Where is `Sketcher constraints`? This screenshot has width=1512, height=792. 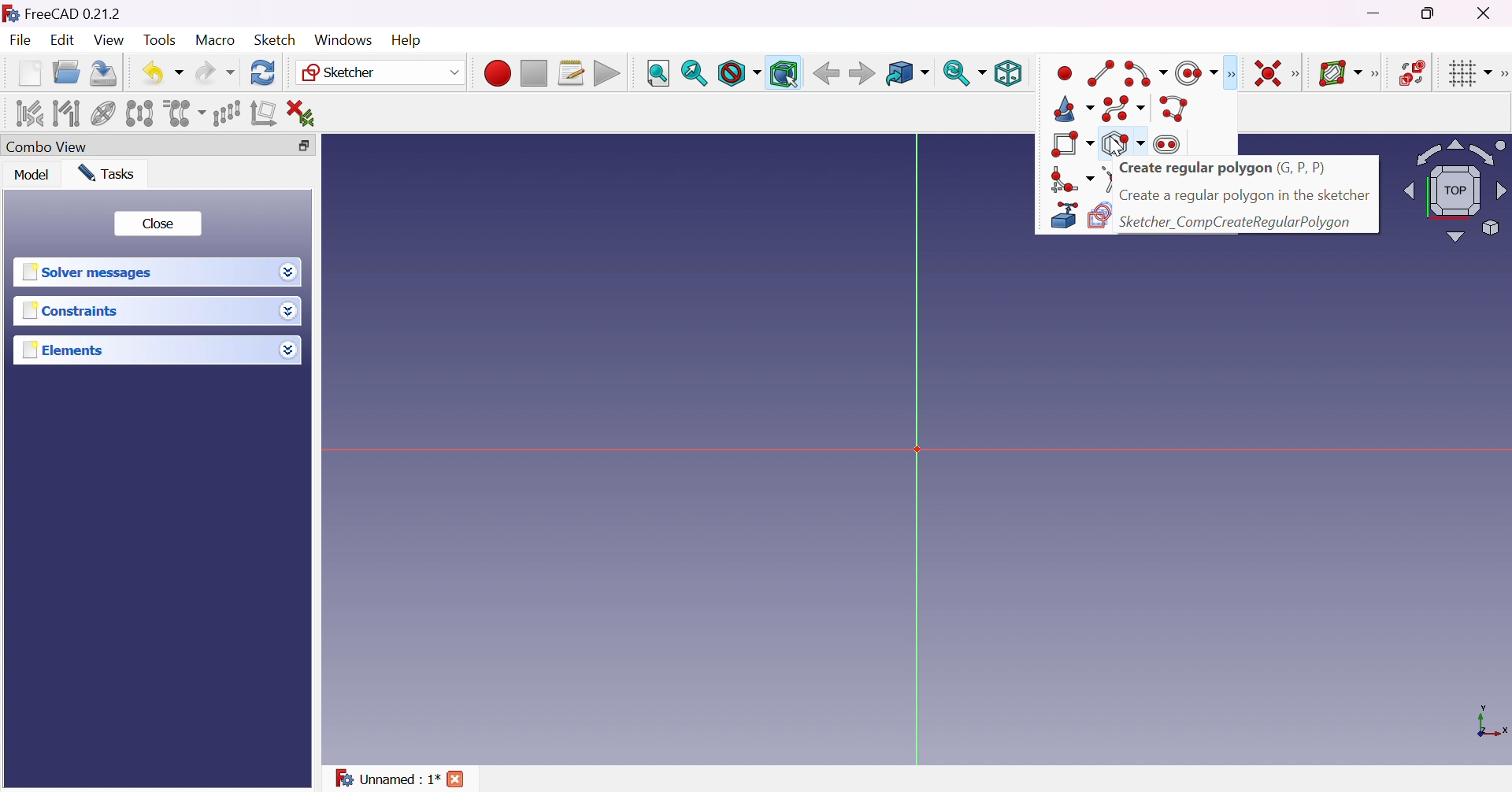 Sketcher constraints is located at coordinates (1299, 75).